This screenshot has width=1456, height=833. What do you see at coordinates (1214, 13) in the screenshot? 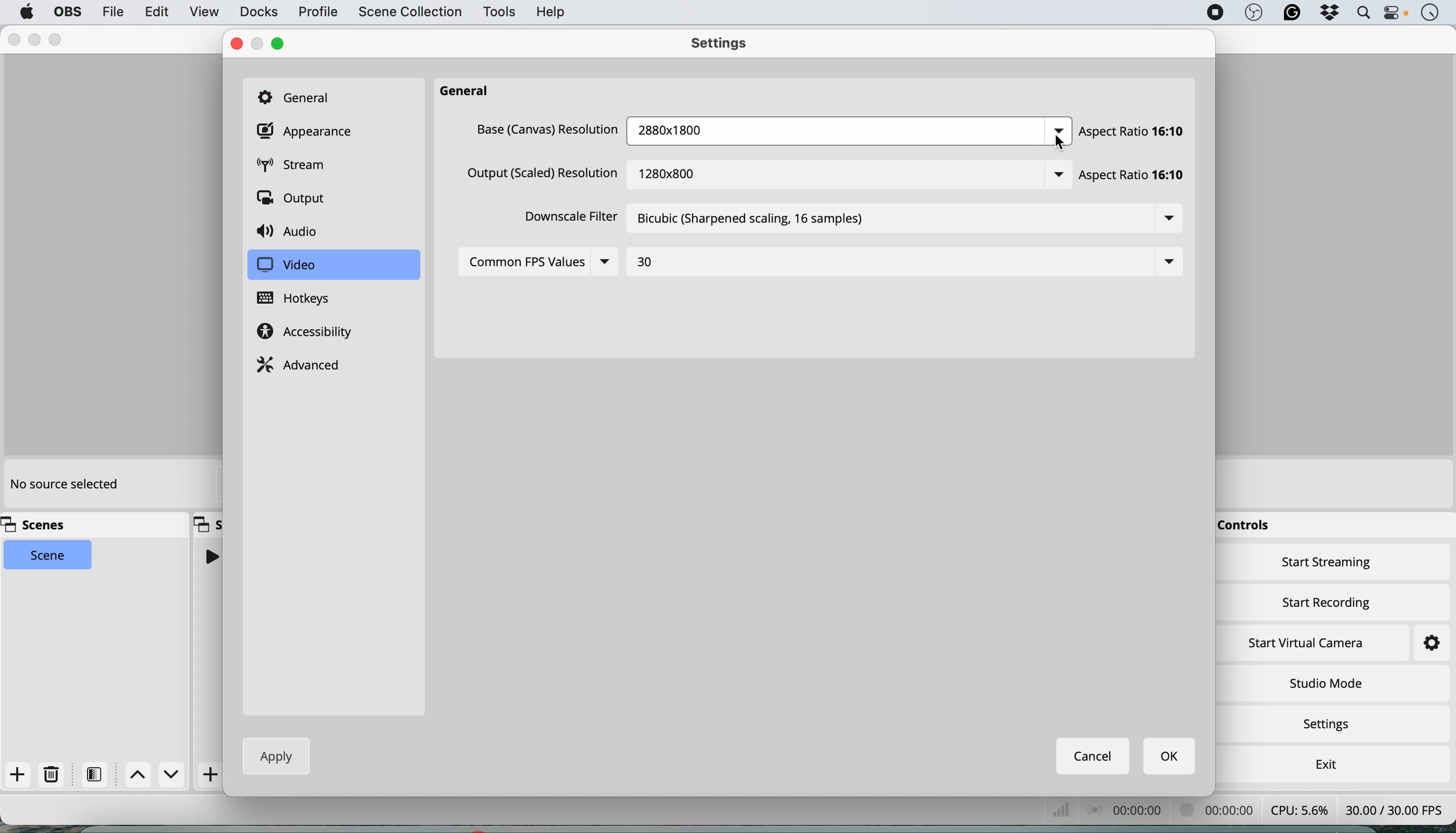
I see `screen recorder` at bounding box center [1214, 13].